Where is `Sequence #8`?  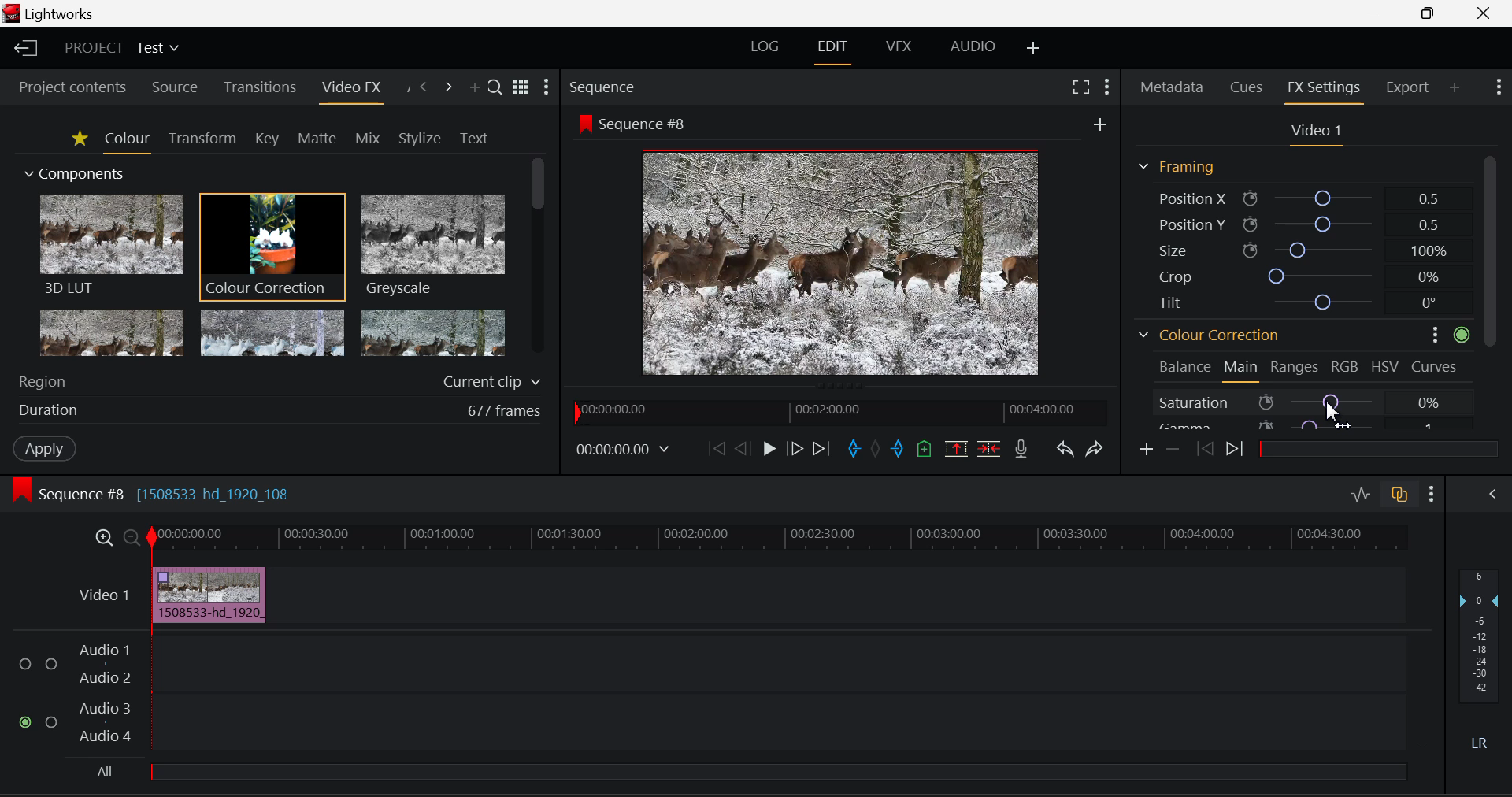
Sequence #8 is located at coordinates (841, 247).